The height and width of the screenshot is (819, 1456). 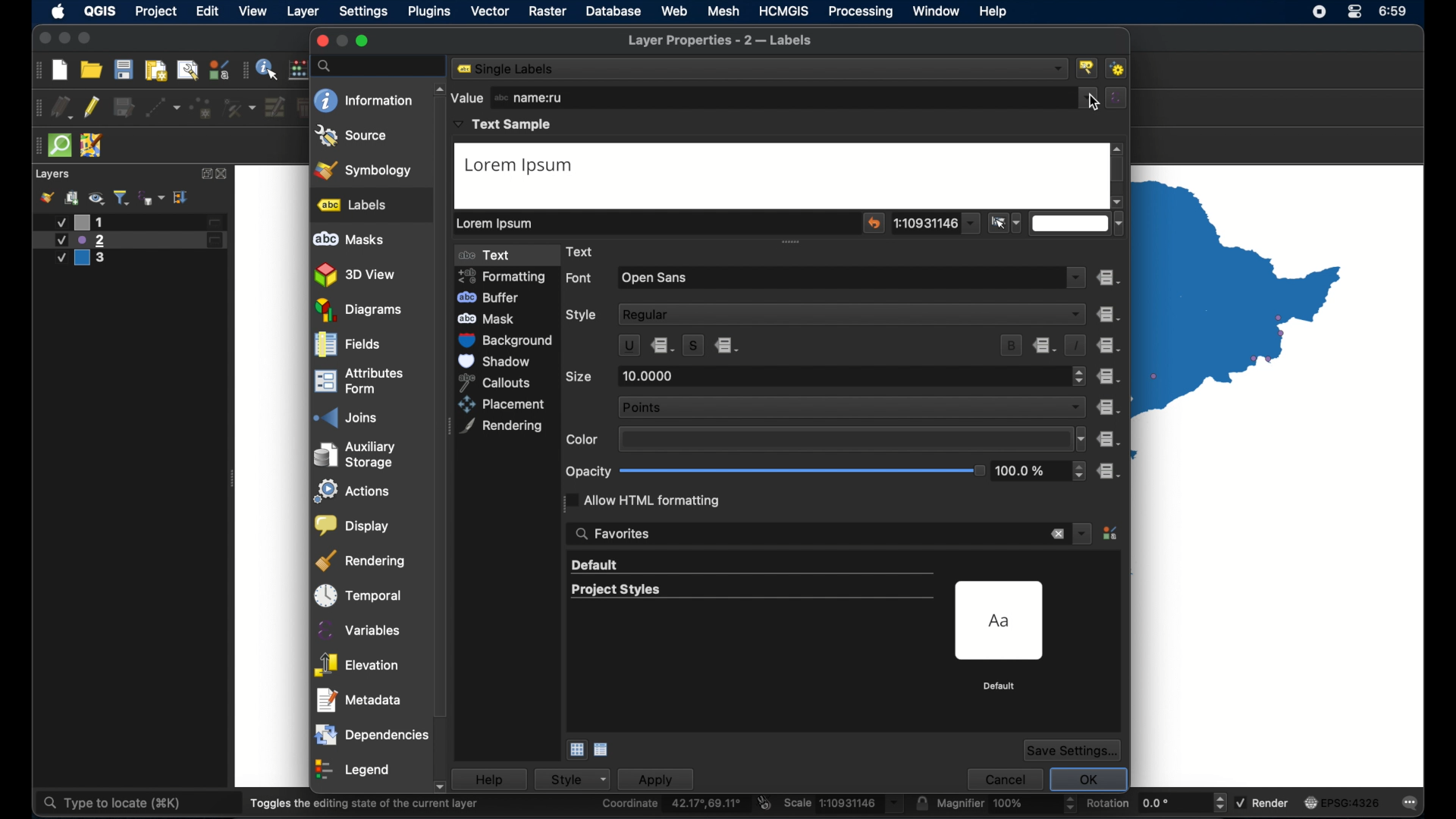 What do you see at coordinates (613, 11) in the screenshot?
I see `database` at bounding box center [613, 11].